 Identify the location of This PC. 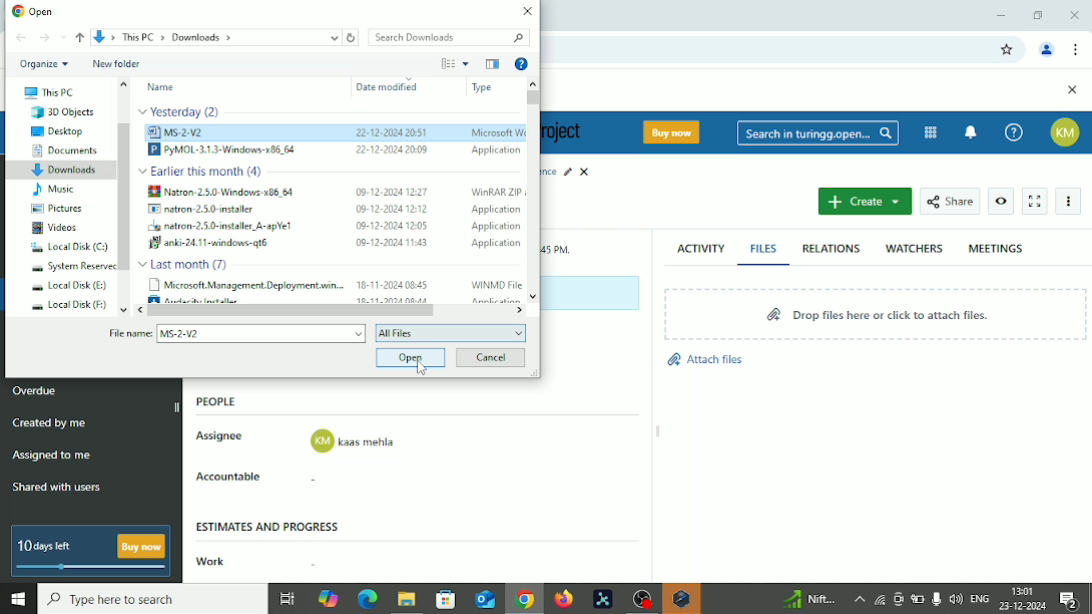
(46, 92).